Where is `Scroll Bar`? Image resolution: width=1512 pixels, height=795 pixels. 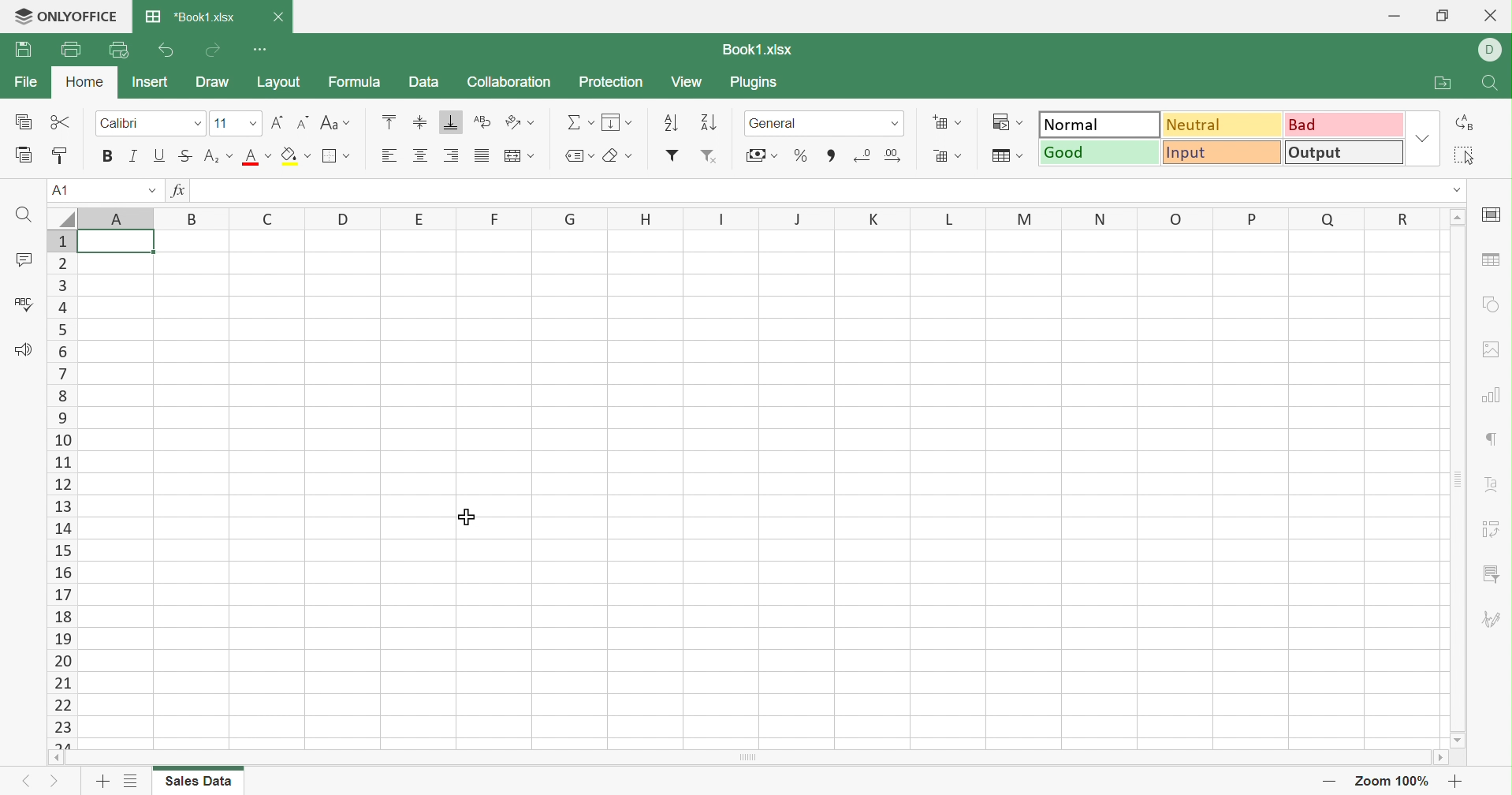
Scroll Bar is located at coordinates (744, 757).